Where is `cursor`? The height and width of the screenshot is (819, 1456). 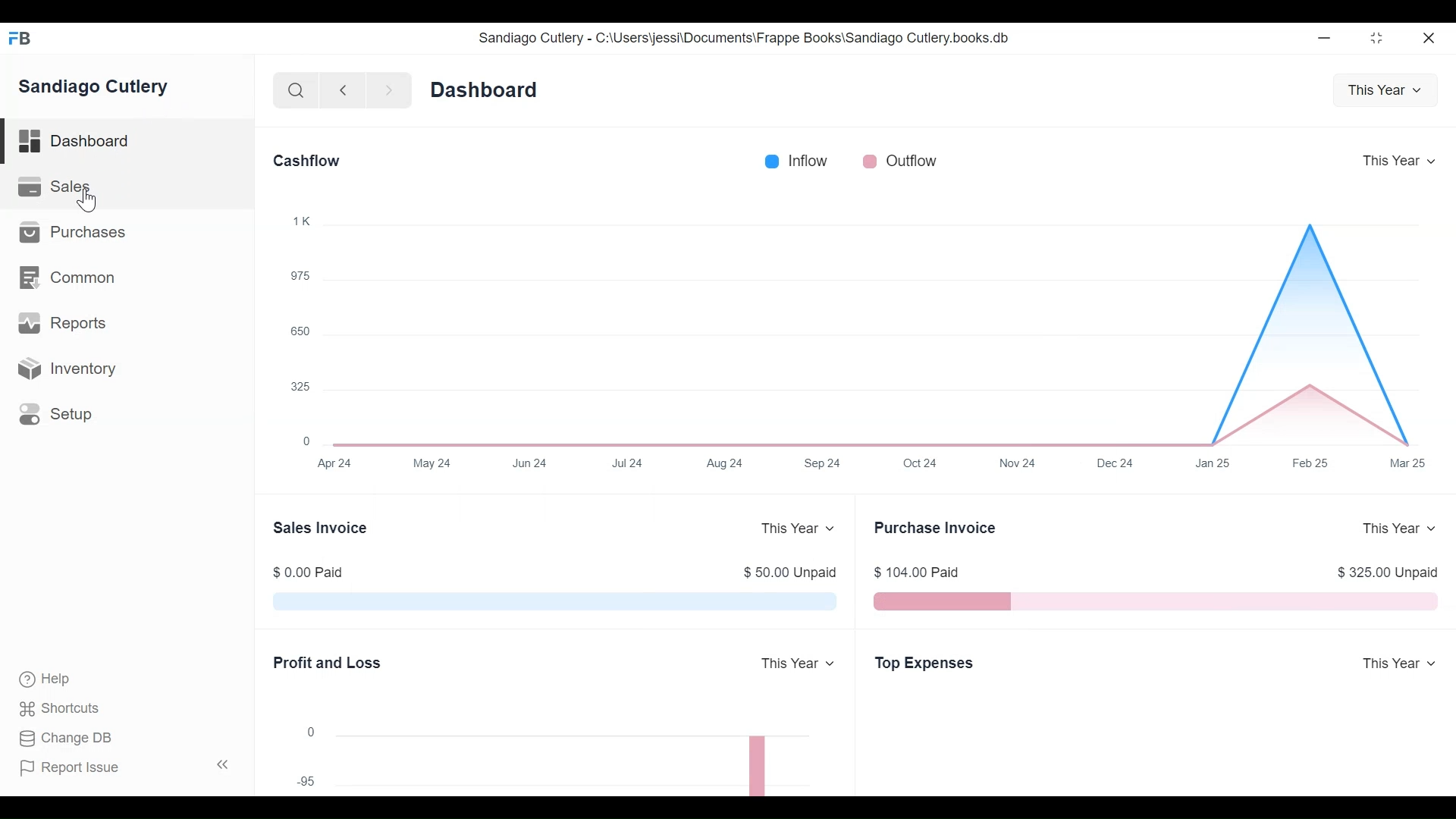 cursor is located at coordinates (87, 202).